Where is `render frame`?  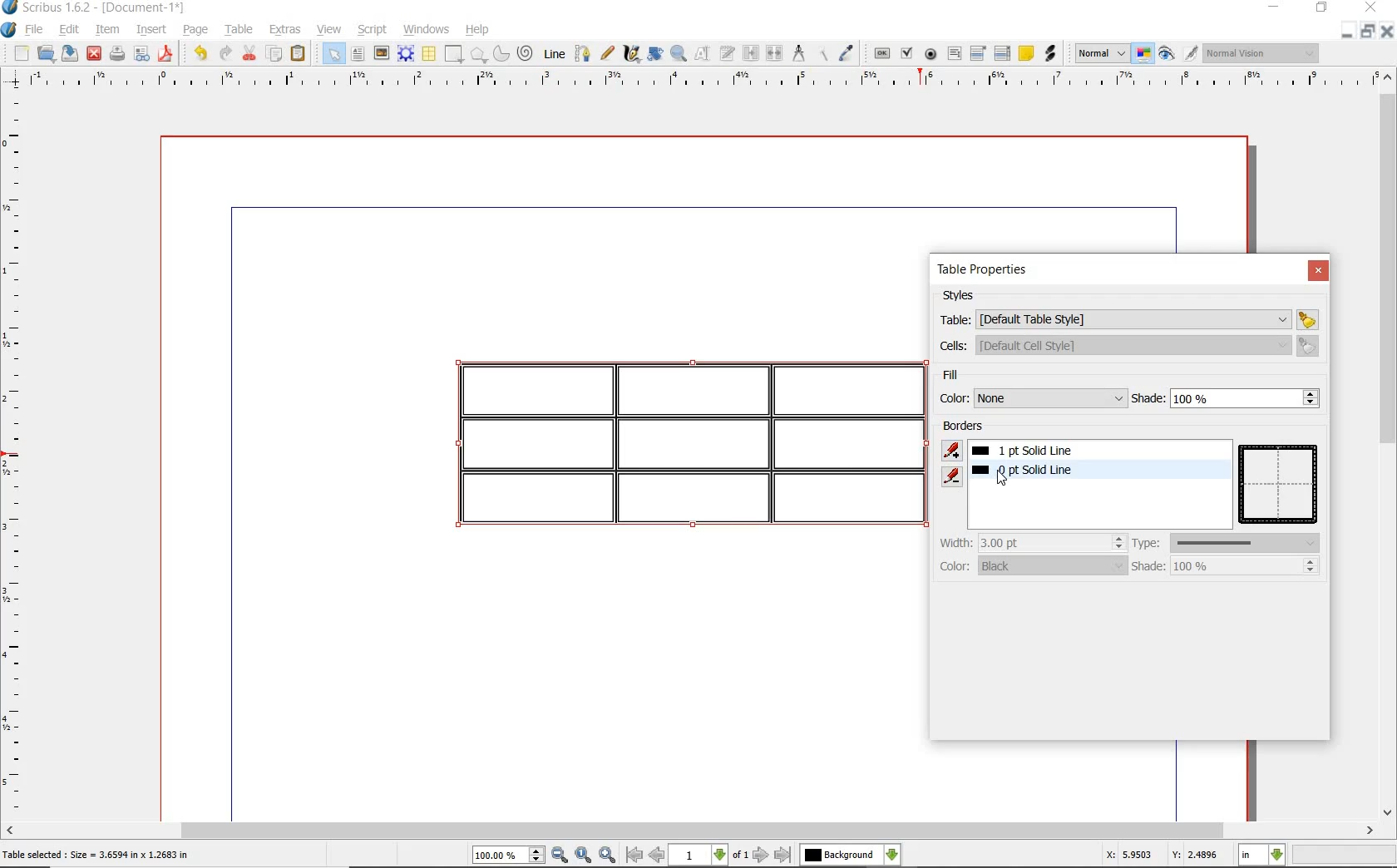
render frame is located at coordinates (406, 55).